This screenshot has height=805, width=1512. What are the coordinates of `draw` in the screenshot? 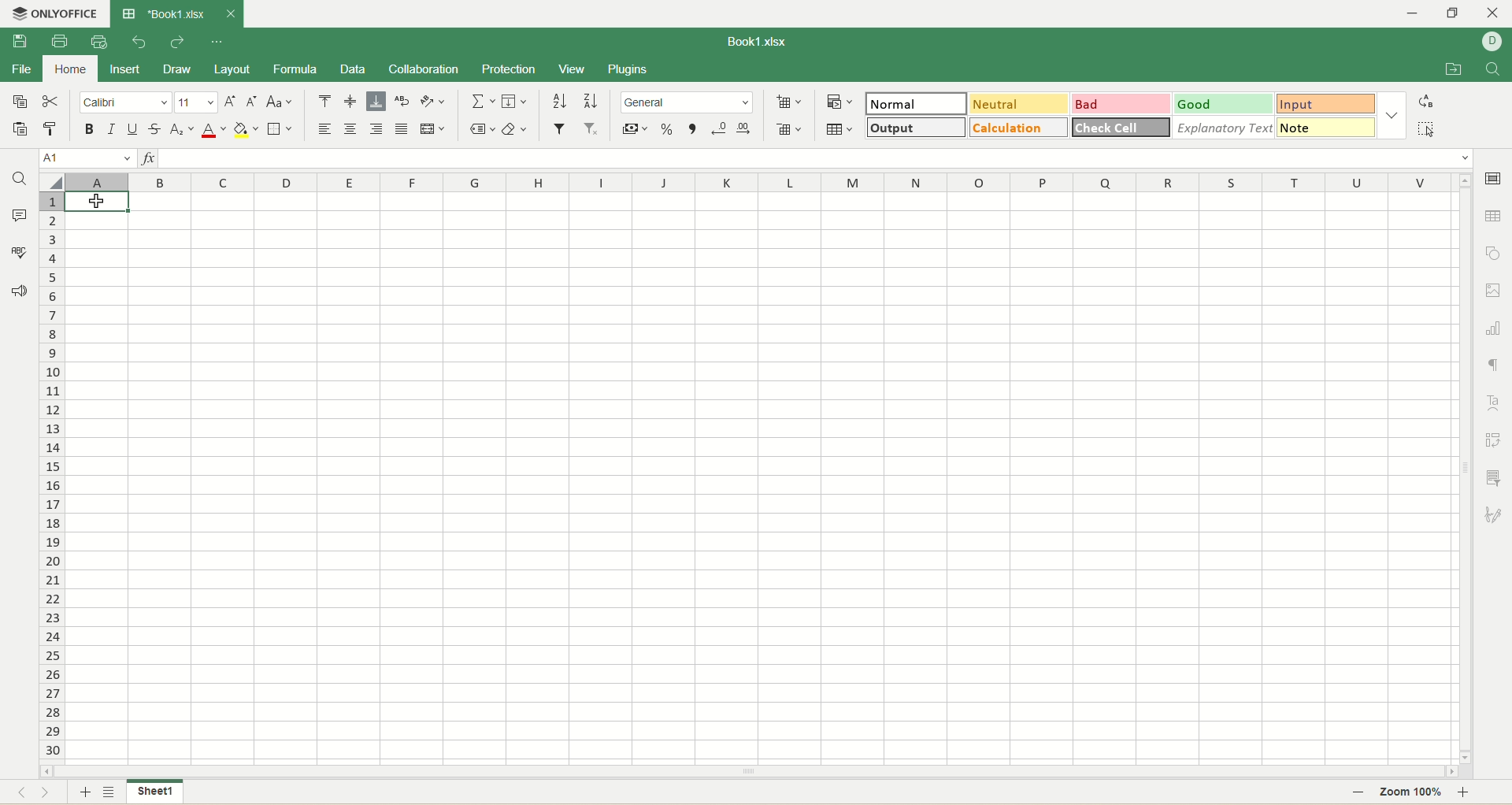 It's located at (176, 70).